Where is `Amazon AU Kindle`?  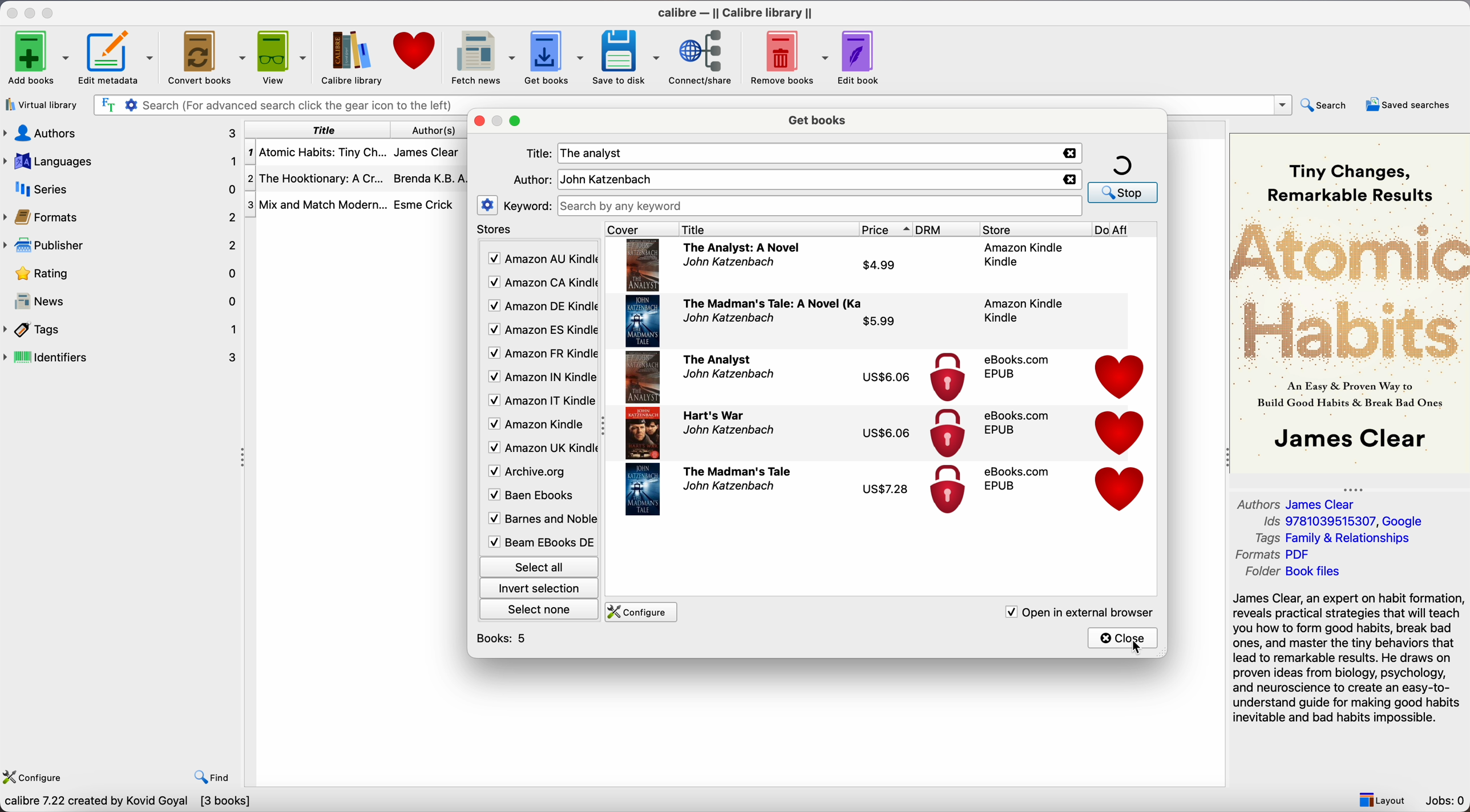
Amazon AU Kindle is located at coordinates (541, 259).